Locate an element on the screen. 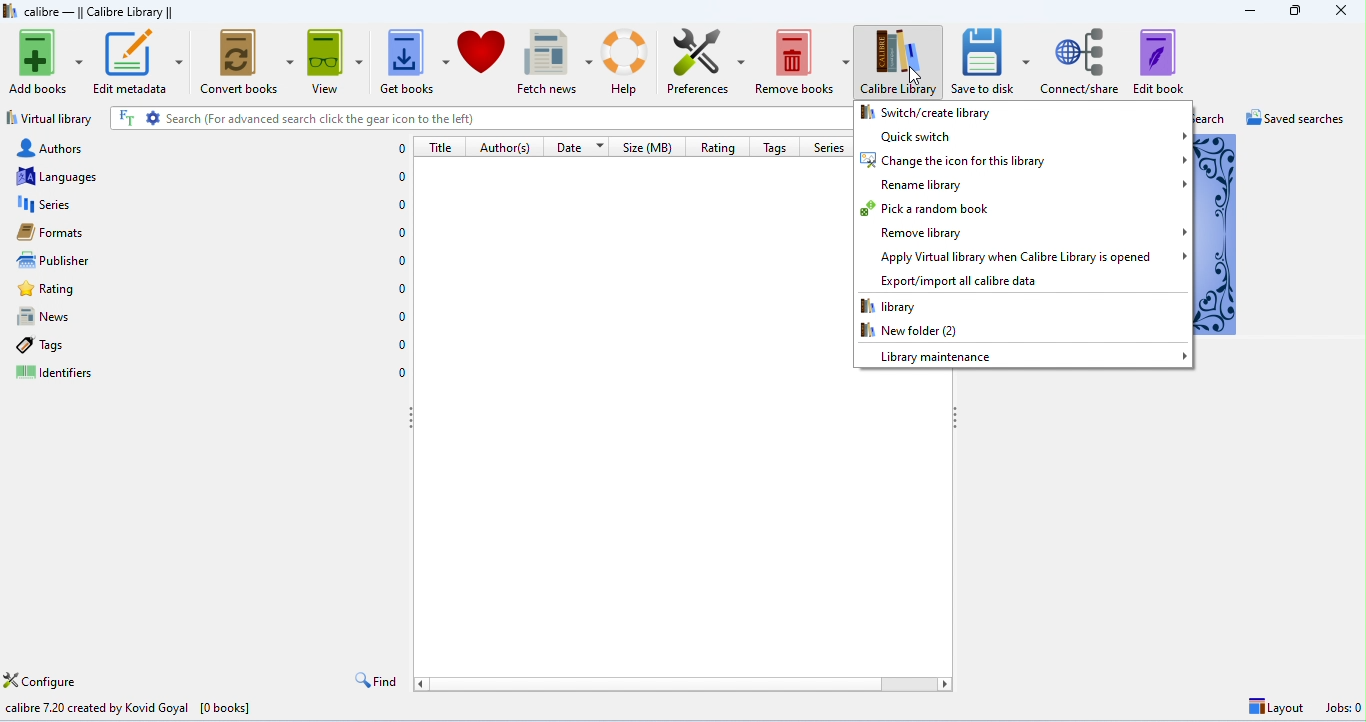  calibre library is located at coordinates (902, 62).